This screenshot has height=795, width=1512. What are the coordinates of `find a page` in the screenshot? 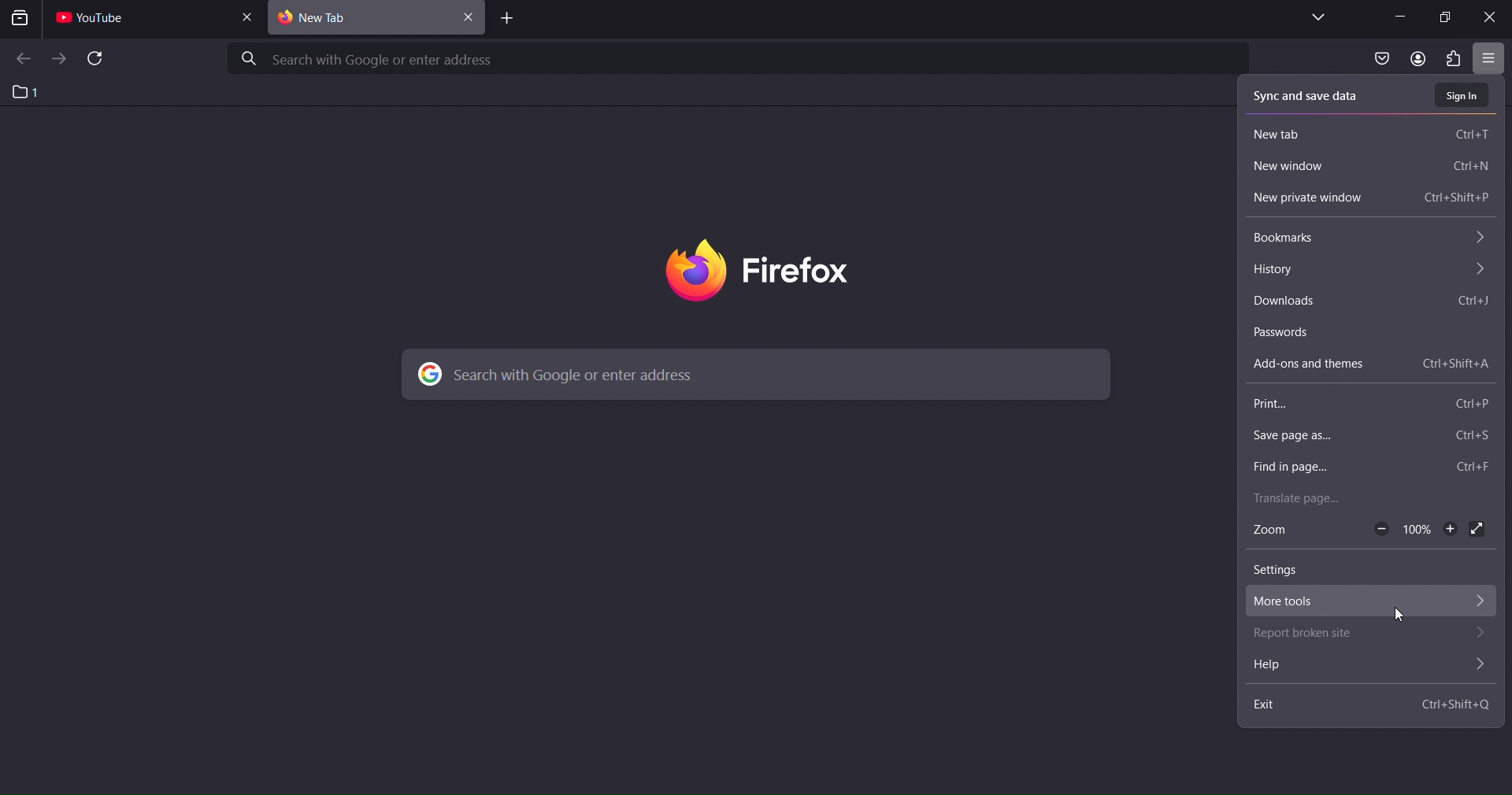 It's located at (1320, 465).